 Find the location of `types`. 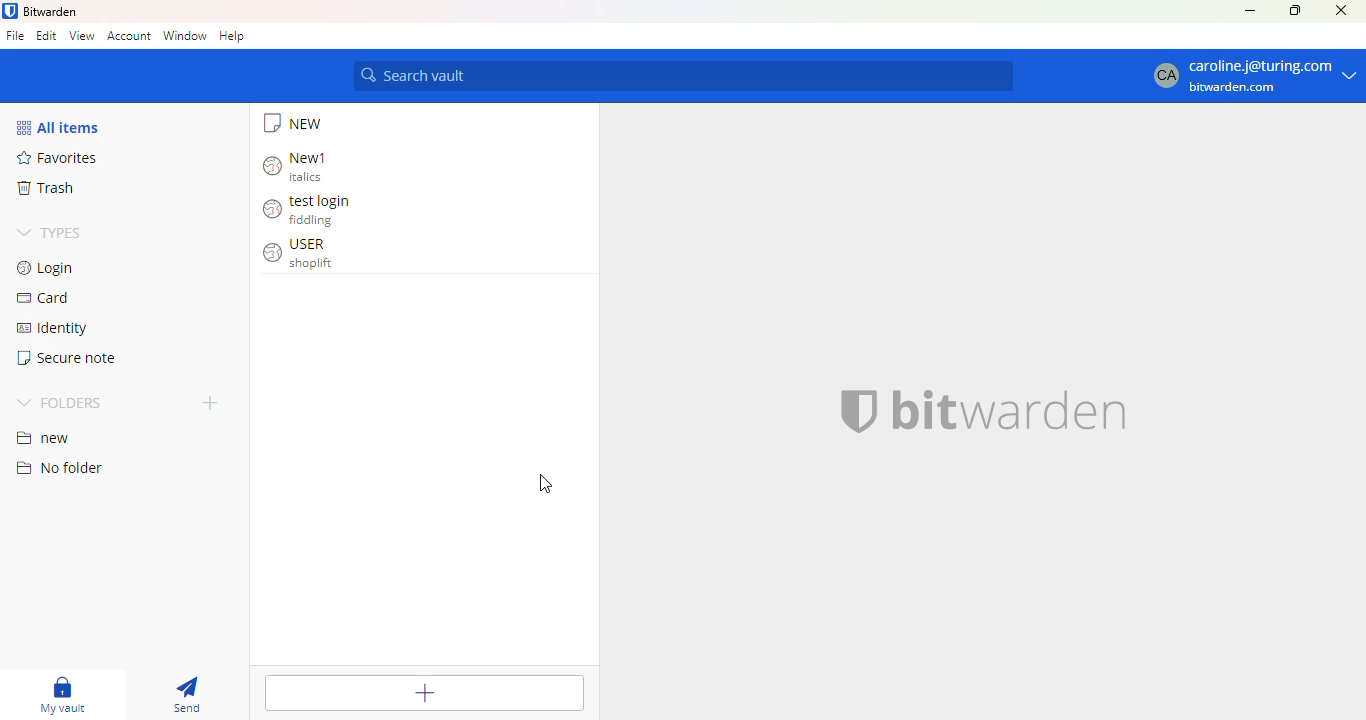

types is located at coordinates (50, 234).